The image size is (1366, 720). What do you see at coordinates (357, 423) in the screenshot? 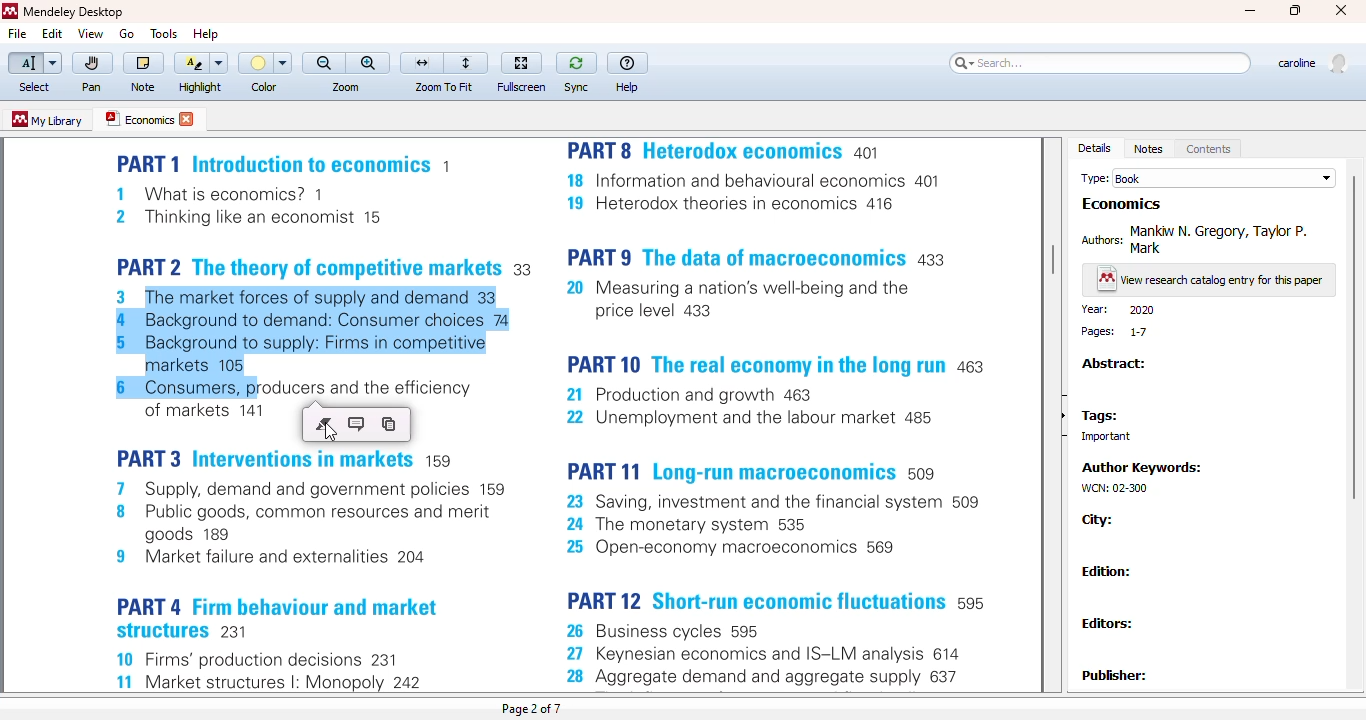
I see `highlight this text and add a note` at bounding box center [357, 423].